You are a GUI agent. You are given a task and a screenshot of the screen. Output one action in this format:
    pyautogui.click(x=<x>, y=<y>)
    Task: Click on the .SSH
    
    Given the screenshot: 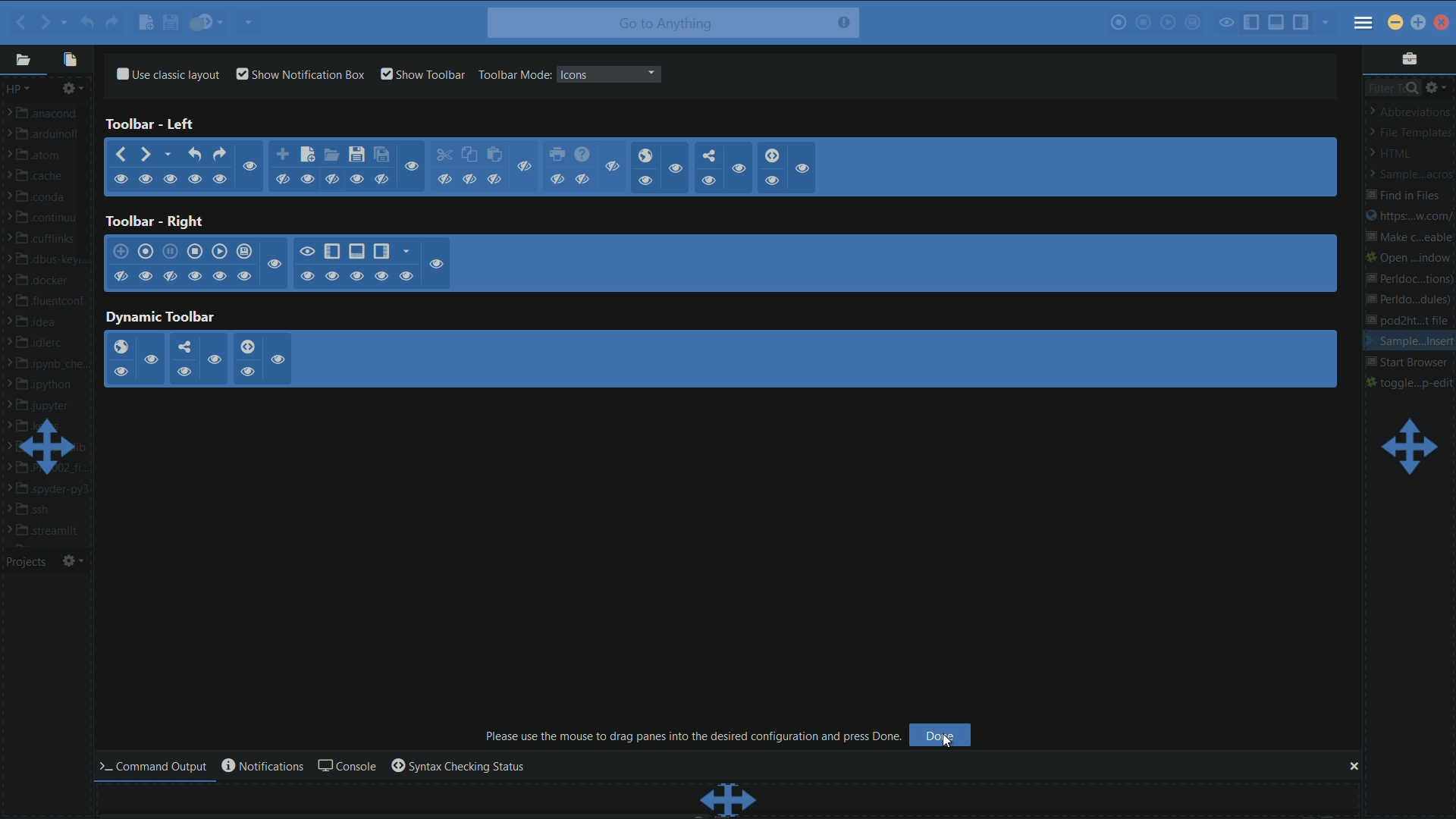 What is the action you would take?
    pyautogui.click(x=43, y=510)
    